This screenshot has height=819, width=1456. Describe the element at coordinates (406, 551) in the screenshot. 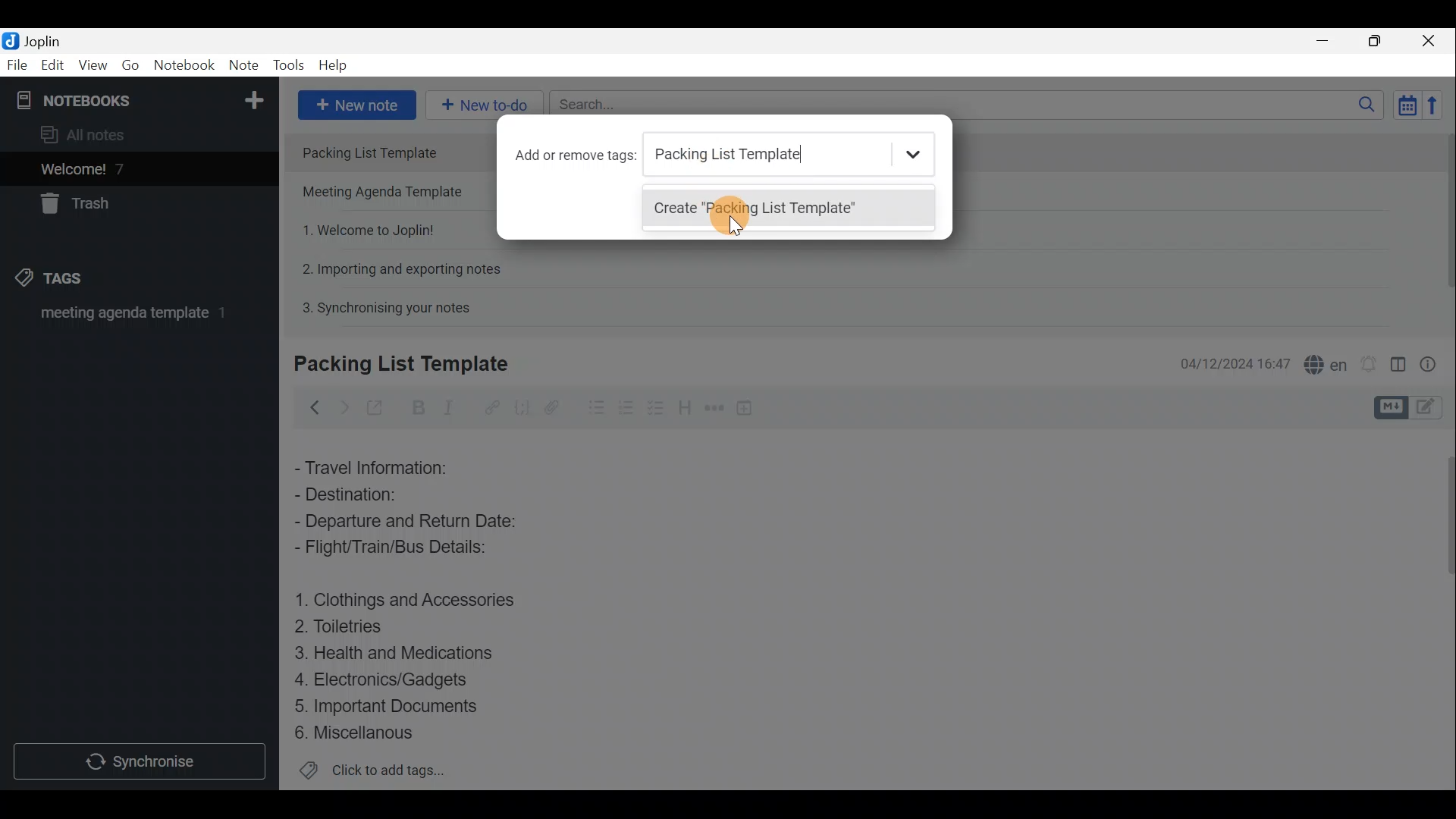

I see `Flight/Train/Bus Details:` at that location.